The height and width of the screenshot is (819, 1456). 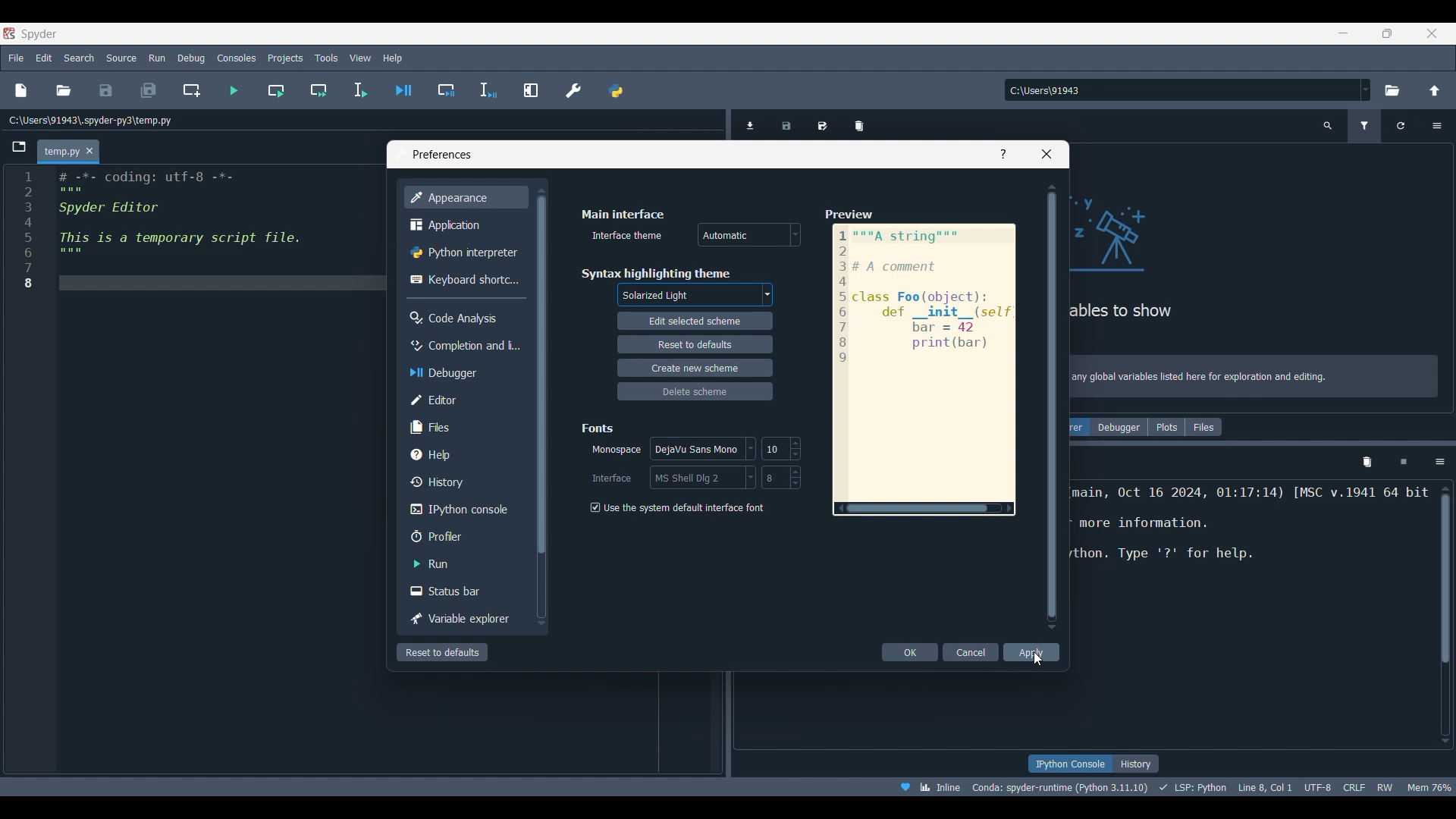 I want to click on Editor, so click(x=463, y=400).